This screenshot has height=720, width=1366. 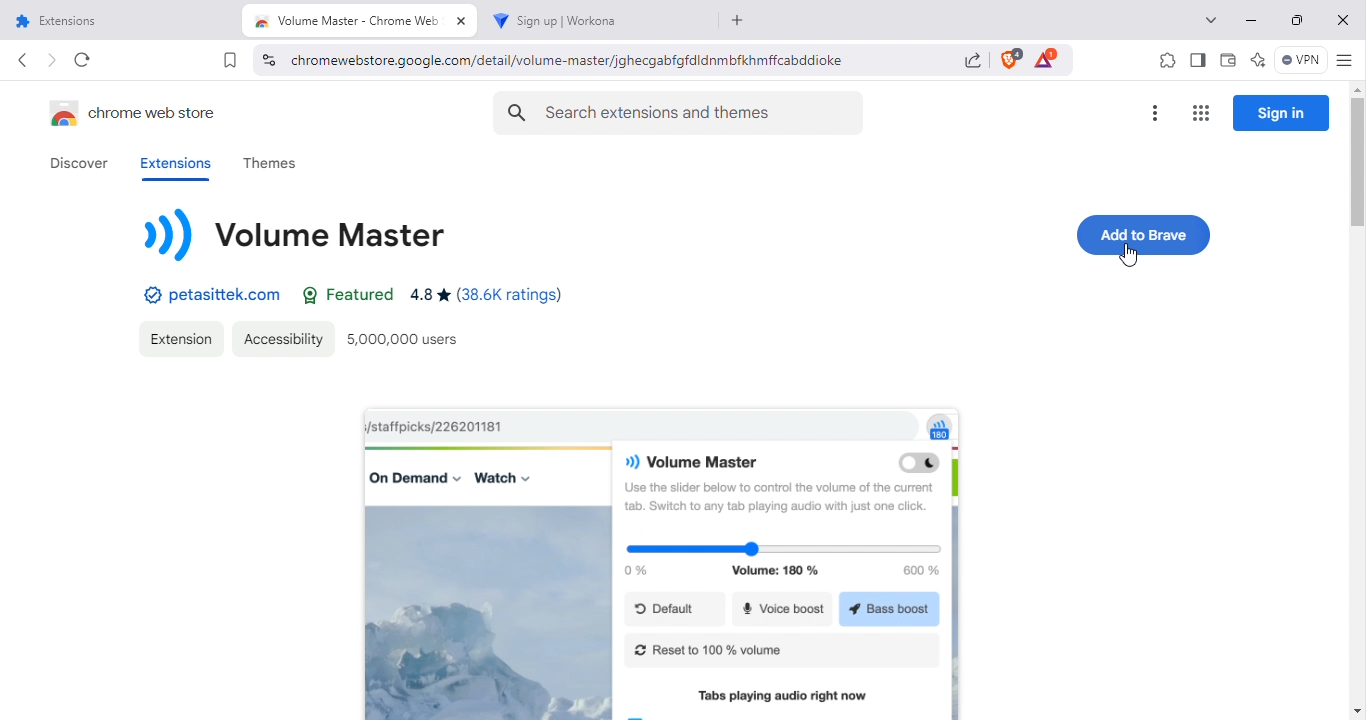 What do you see at coordinates (1344, 61) in the screenshot?
I see `Customize and control Brave` at bounding box center [1344, 61].